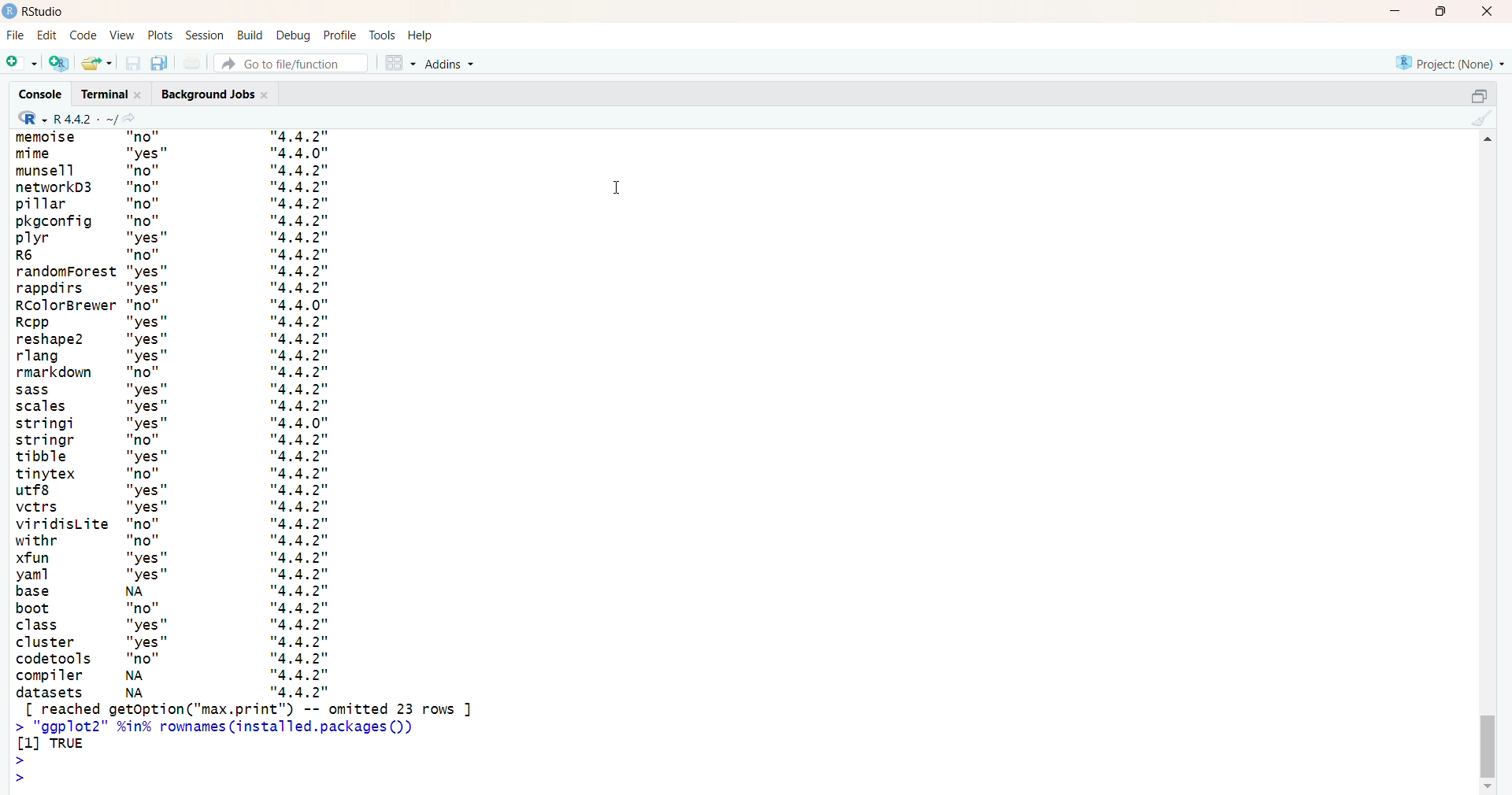 The width and height of the screenshot is (1512, 795). What do you see at coordinates (382, 35) in the screenshot?
I see `tools` at bounding box center [382, 35].